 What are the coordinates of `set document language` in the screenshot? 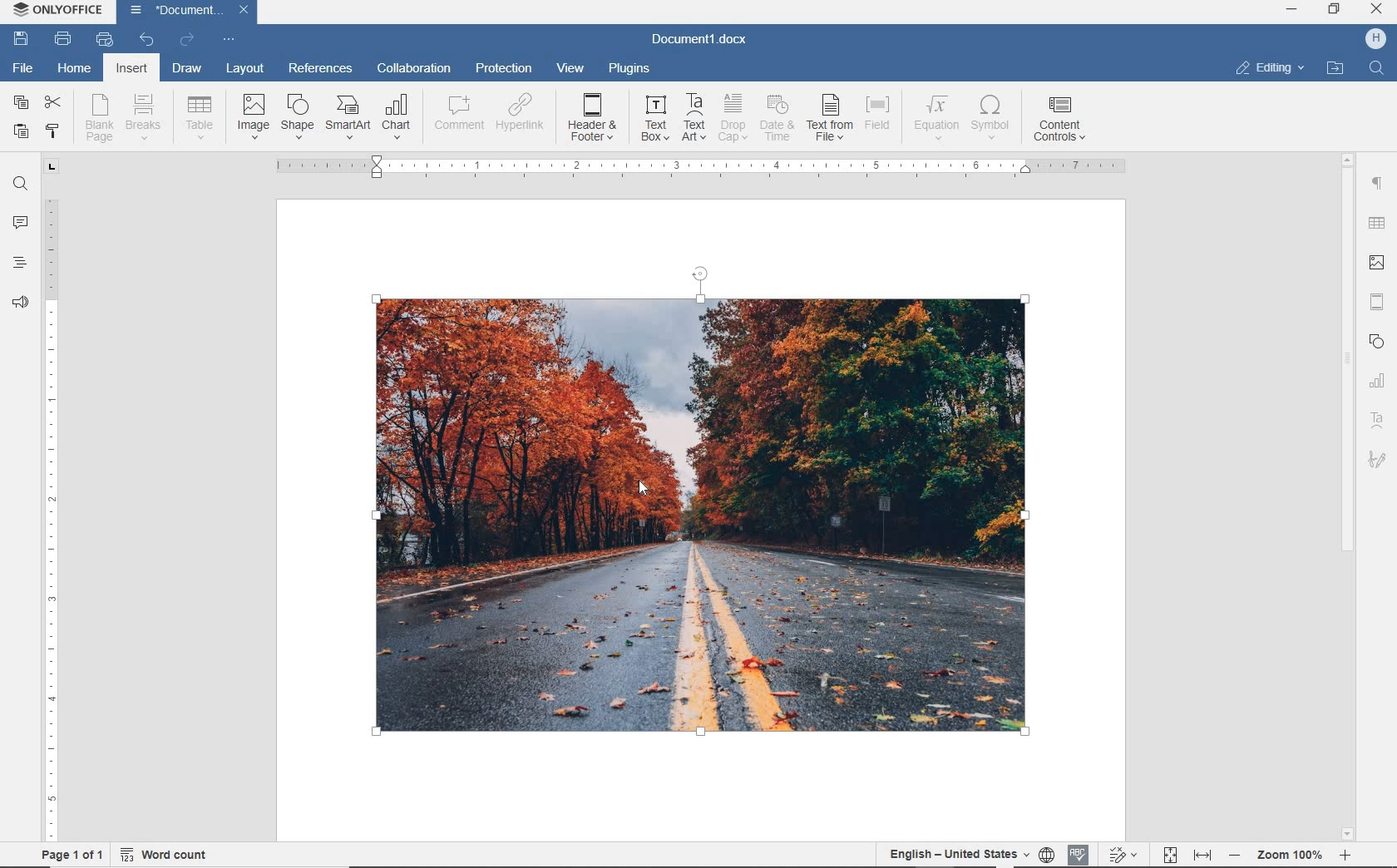 It's located at (1045, 855).